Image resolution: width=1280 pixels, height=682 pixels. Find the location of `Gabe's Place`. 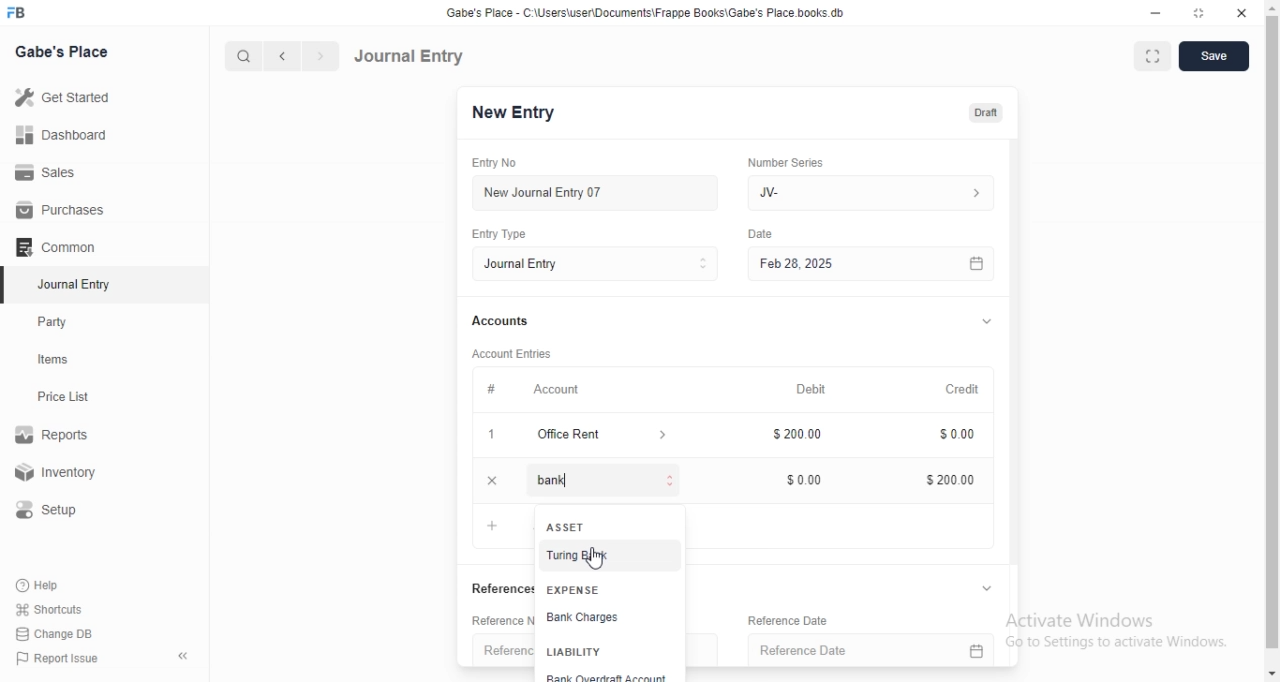

Gabe's Place is located at coordinates (64, 51).